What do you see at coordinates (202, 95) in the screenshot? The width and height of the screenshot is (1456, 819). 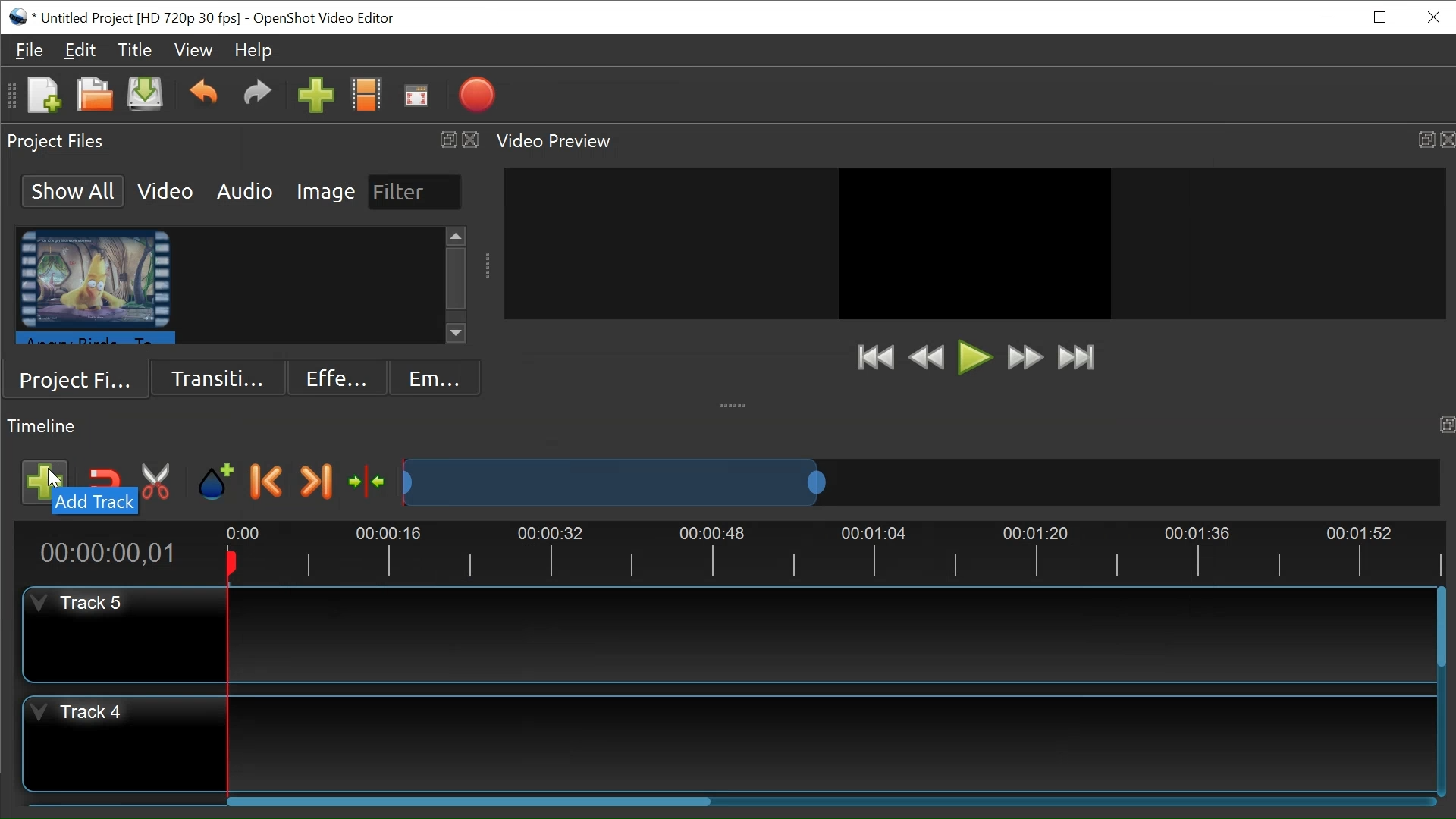 I see `Undo` at bounding box center [202, 95].